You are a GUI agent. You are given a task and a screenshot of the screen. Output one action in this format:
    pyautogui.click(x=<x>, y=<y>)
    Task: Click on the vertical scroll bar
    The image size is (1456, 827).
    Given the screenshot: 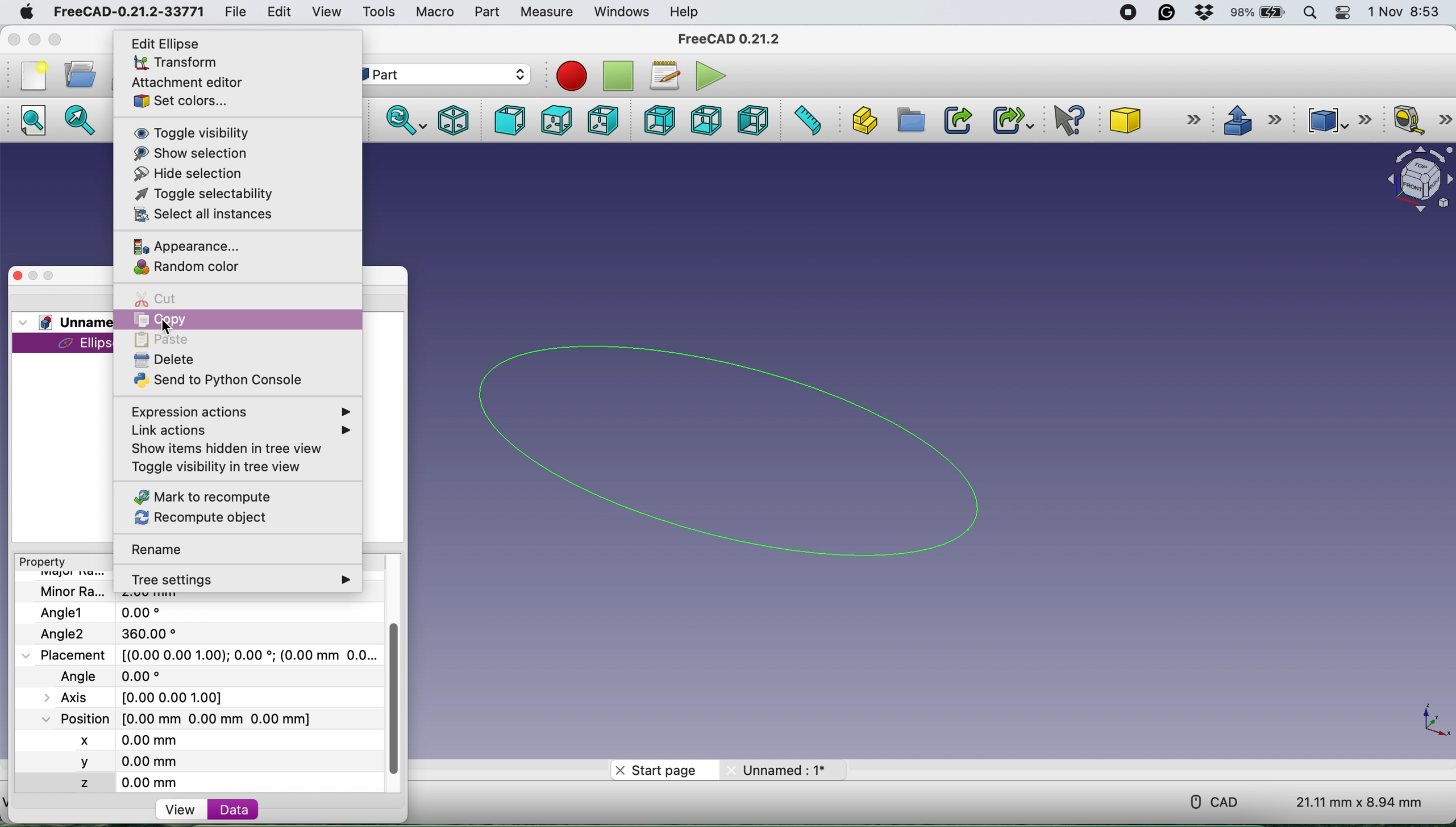 What is the action you would take?
    pyautogui.click(x=396, y=697)
    